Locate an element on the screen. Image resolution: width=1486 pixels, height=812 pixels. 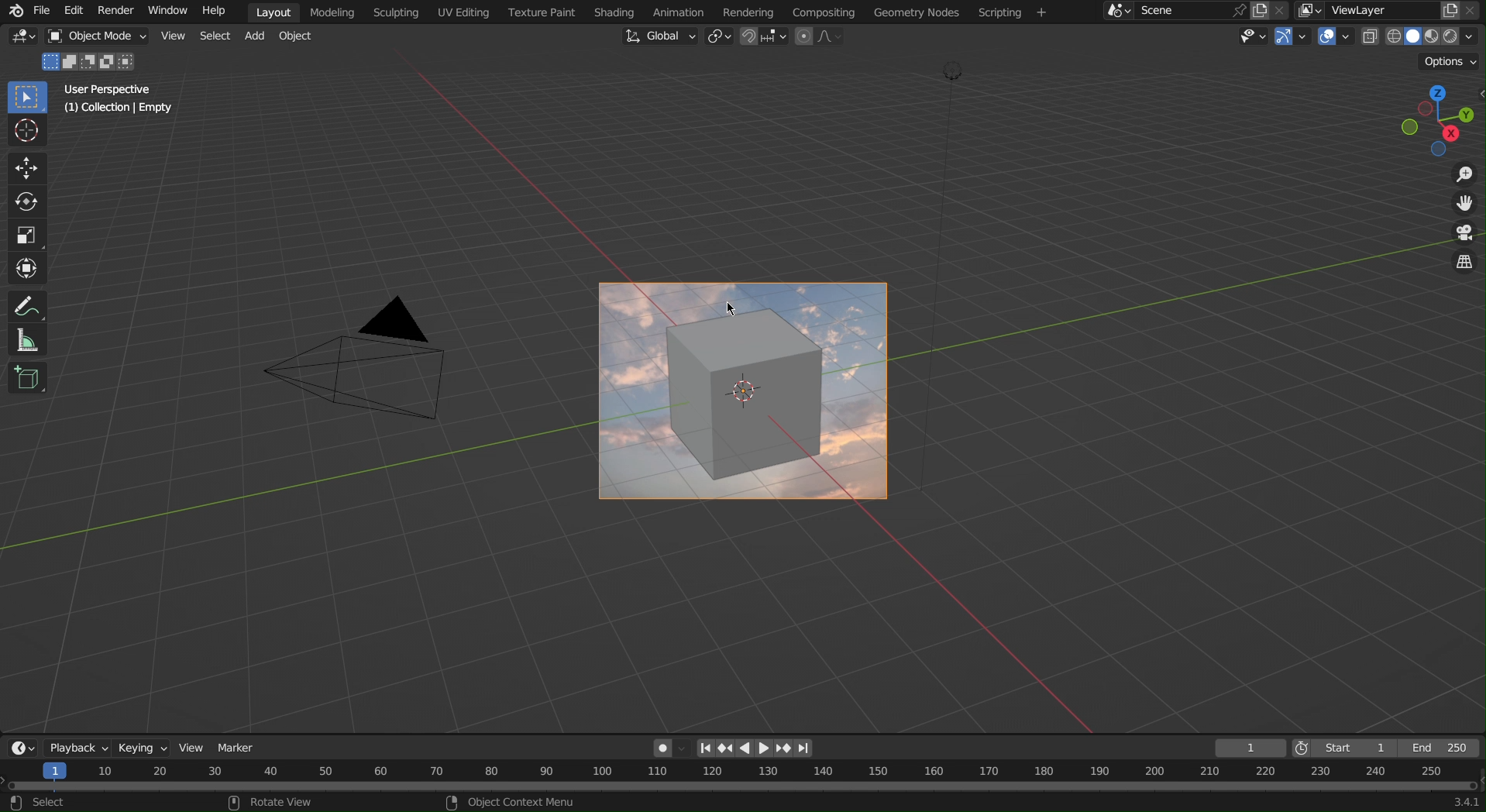
Scripting is located at coordinates (399, 12).